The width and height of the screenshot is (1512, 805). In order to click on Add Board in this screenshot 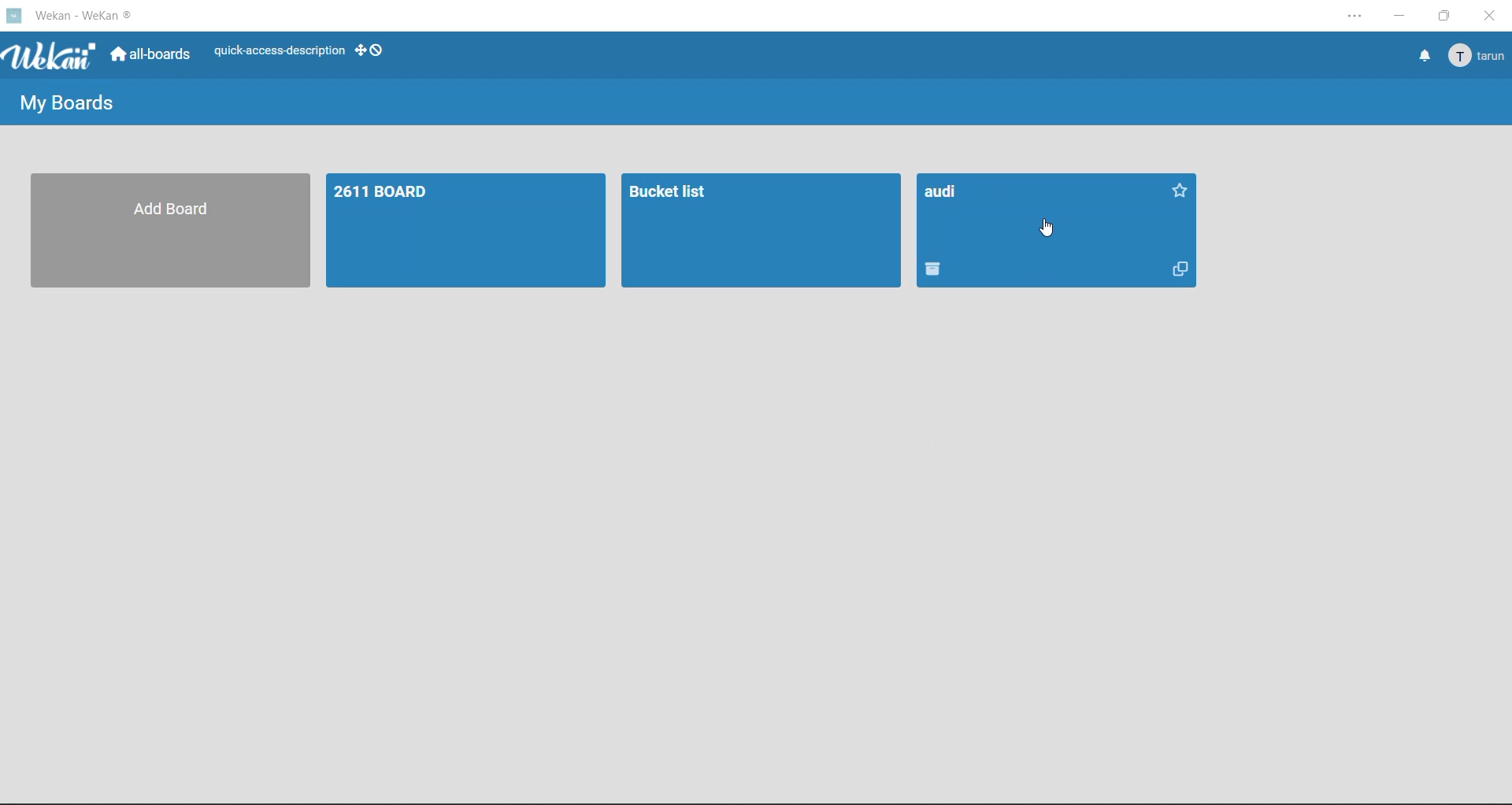, I will do `click(171, 232)`.